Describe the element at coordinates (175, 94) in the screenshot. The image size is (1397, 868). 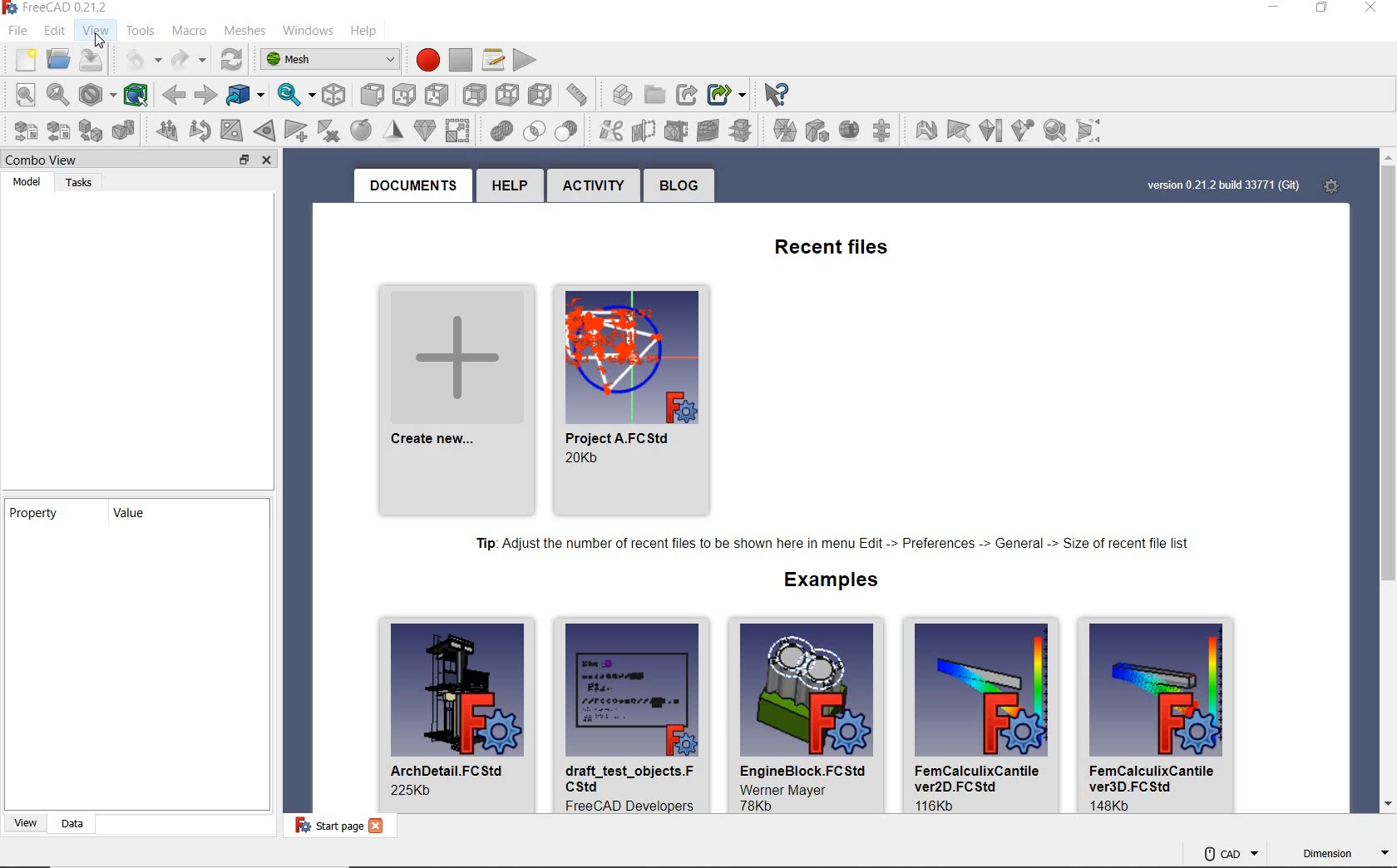
I see `back` at that location.